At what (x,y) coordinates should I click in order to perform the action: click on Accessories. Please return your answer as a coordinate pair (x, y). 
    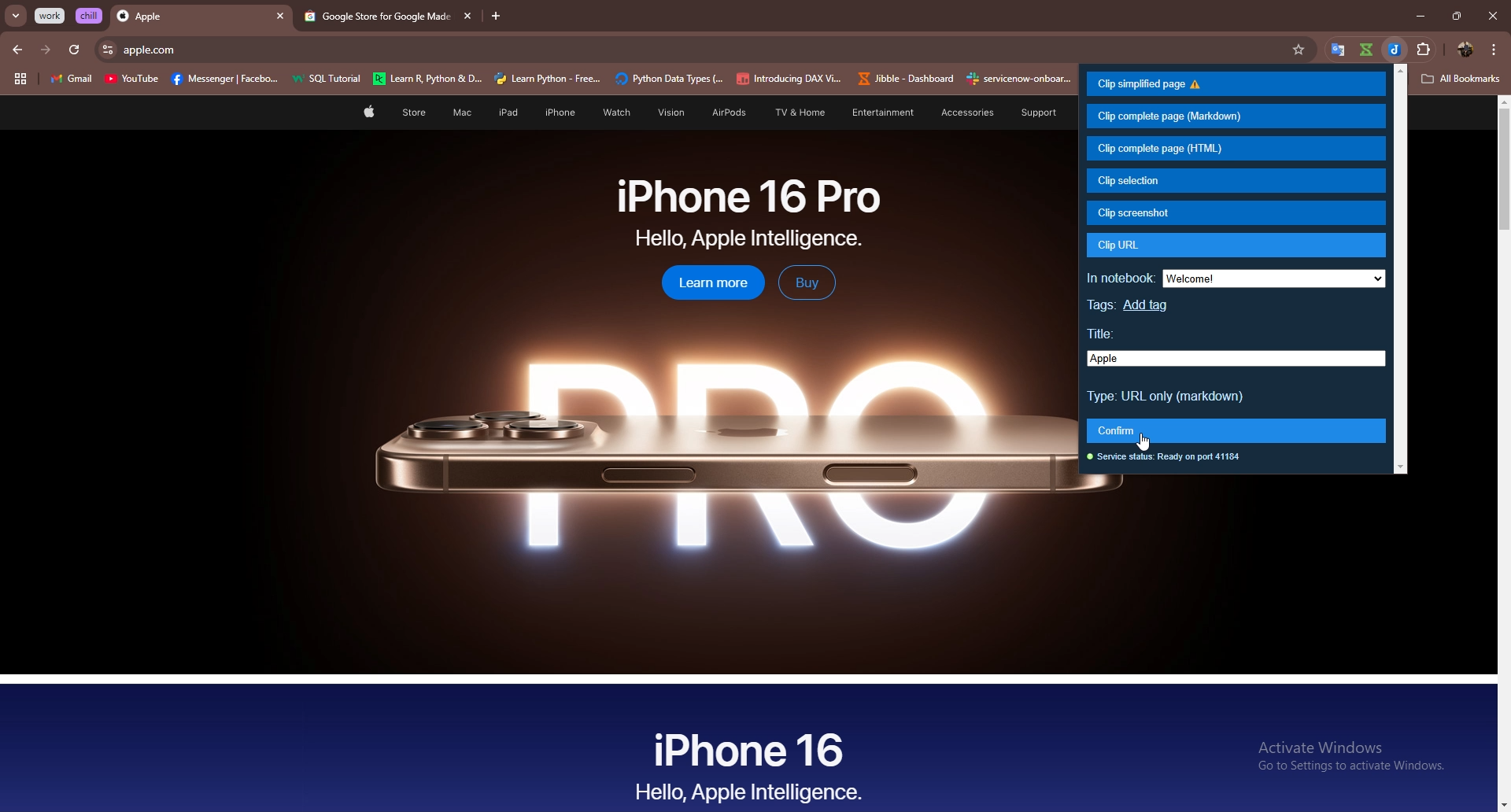
    Looking at the image, I should click on (958, 113).